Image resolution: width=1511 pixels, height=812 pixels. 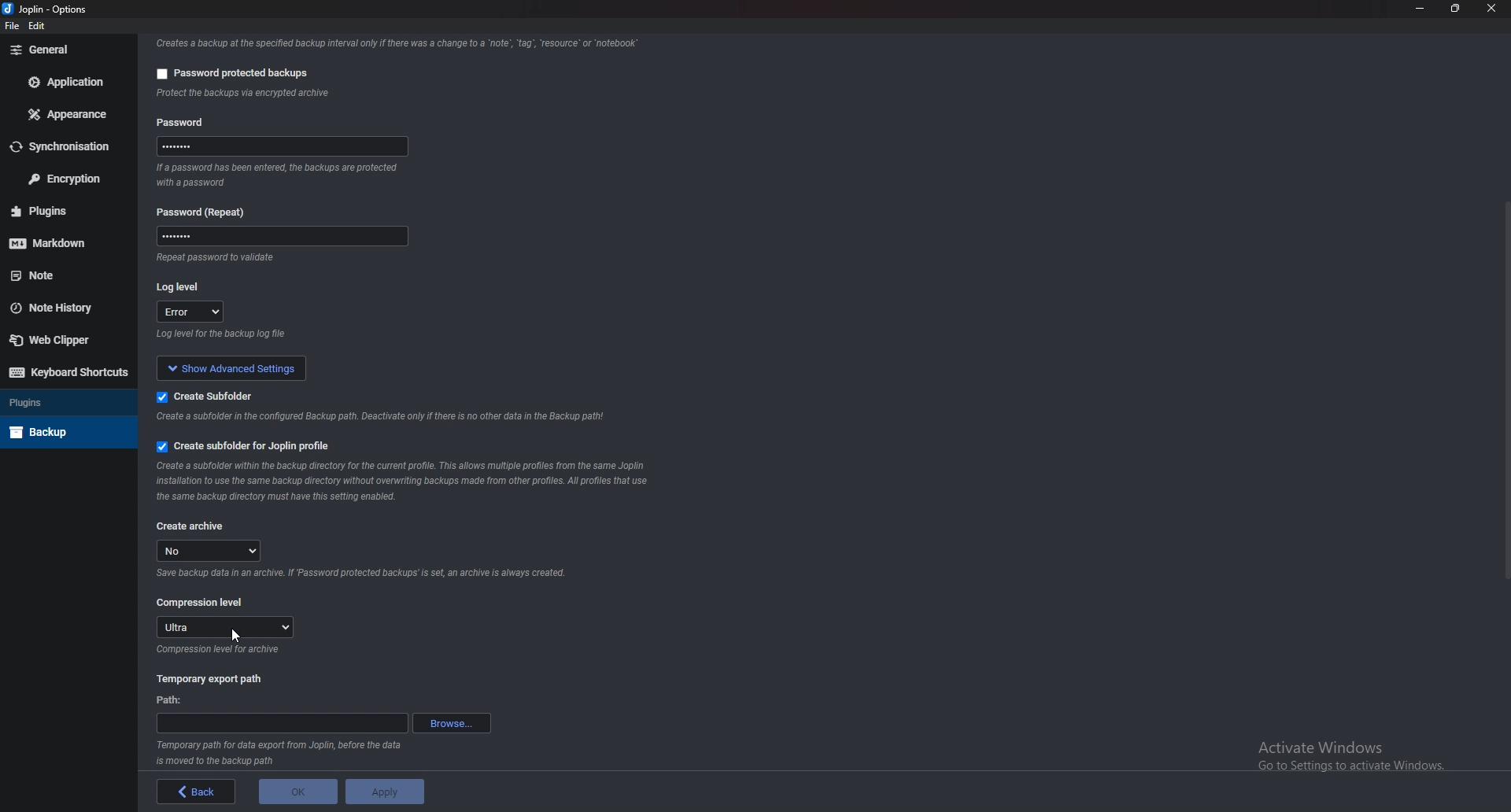 What do you see at coordinates (65, 403) in the screenshot?
I see `Plugins` at bounding box center [65, 403].